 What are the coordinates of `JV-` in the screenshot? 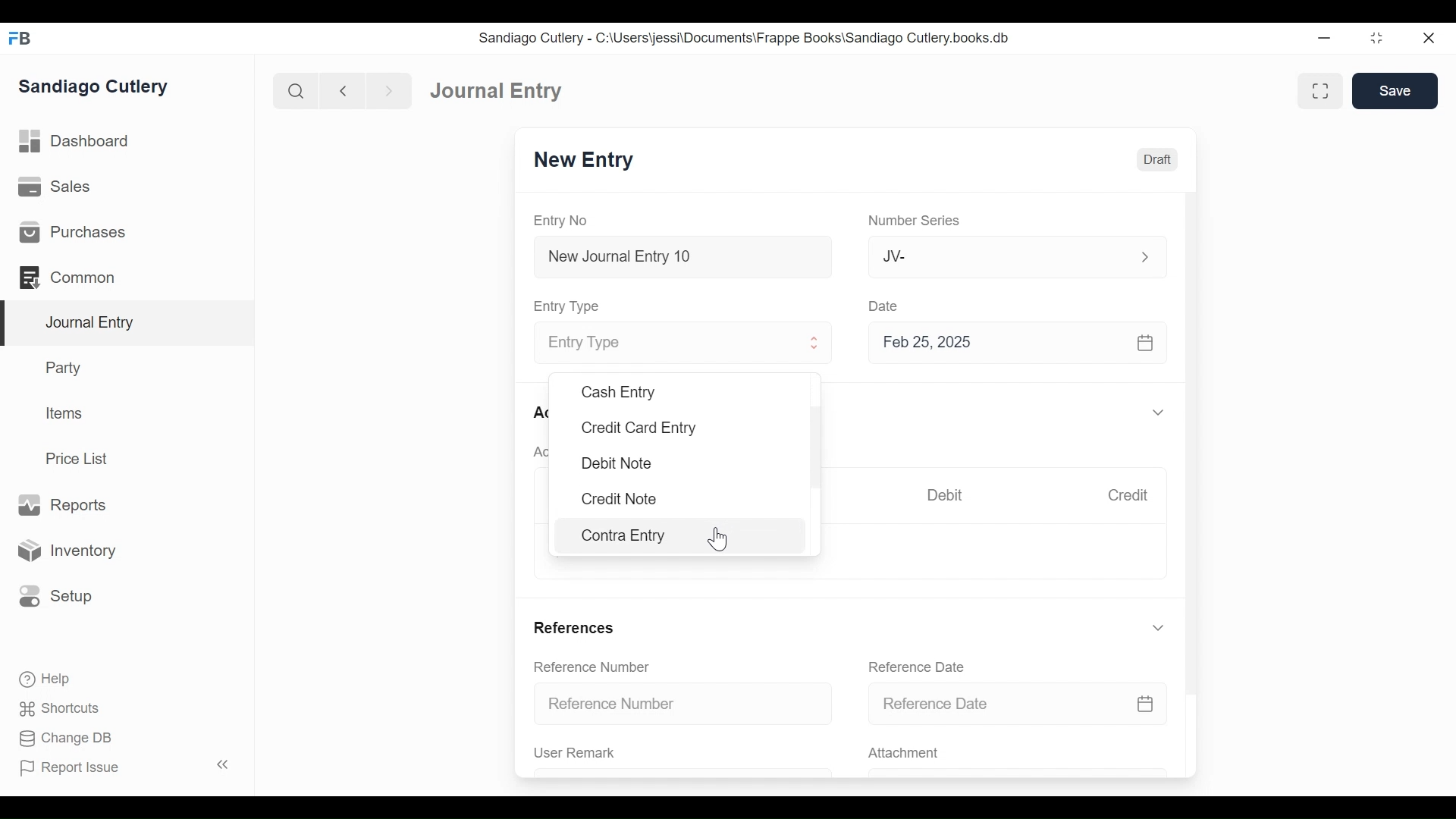 It's located at (998, 256).